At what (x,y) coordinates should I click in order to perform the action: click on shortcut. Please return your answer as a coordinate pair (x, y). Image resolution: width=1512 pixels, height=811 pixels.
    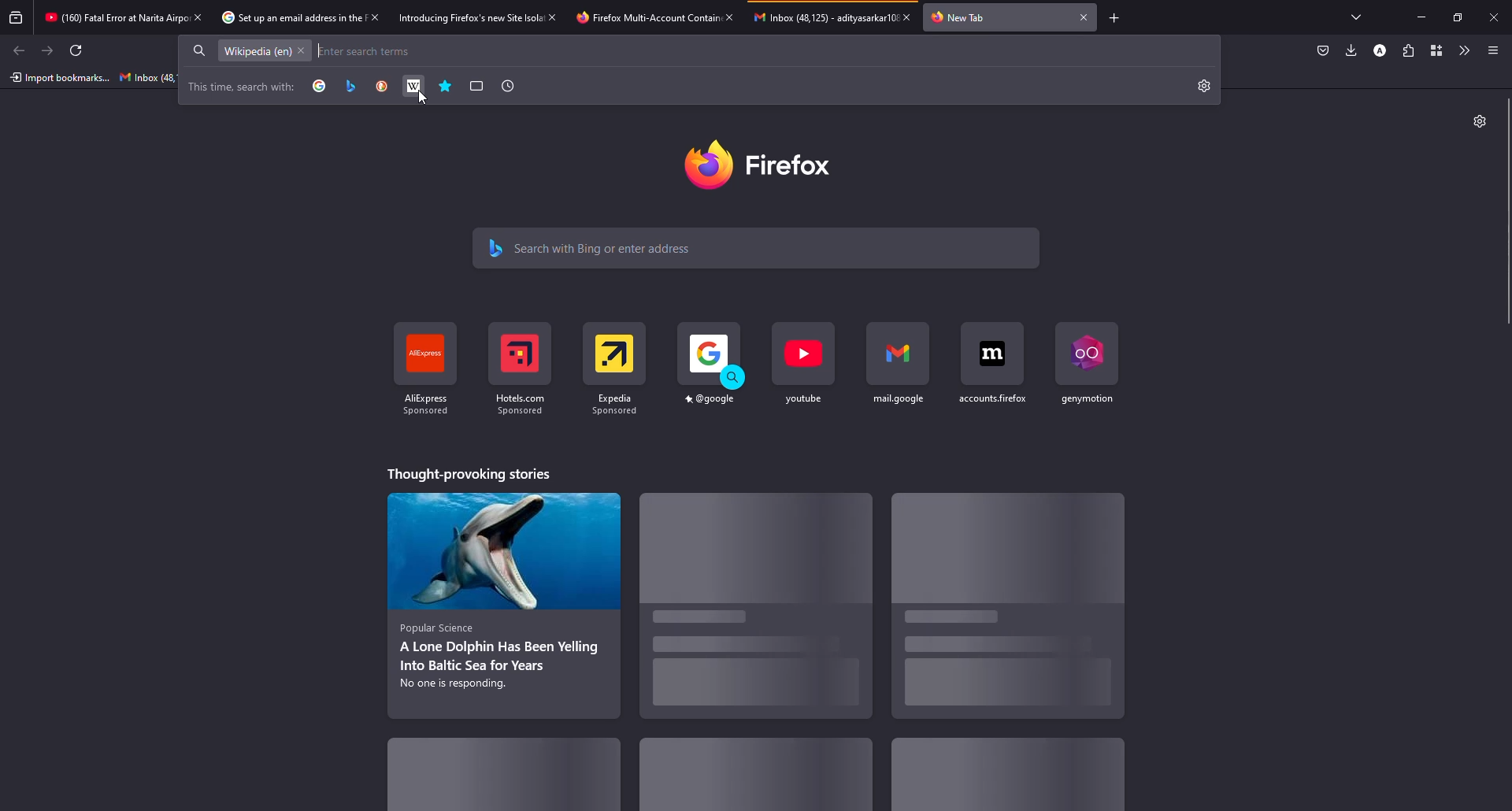
    Looking at the image, I should click on (520, 375).